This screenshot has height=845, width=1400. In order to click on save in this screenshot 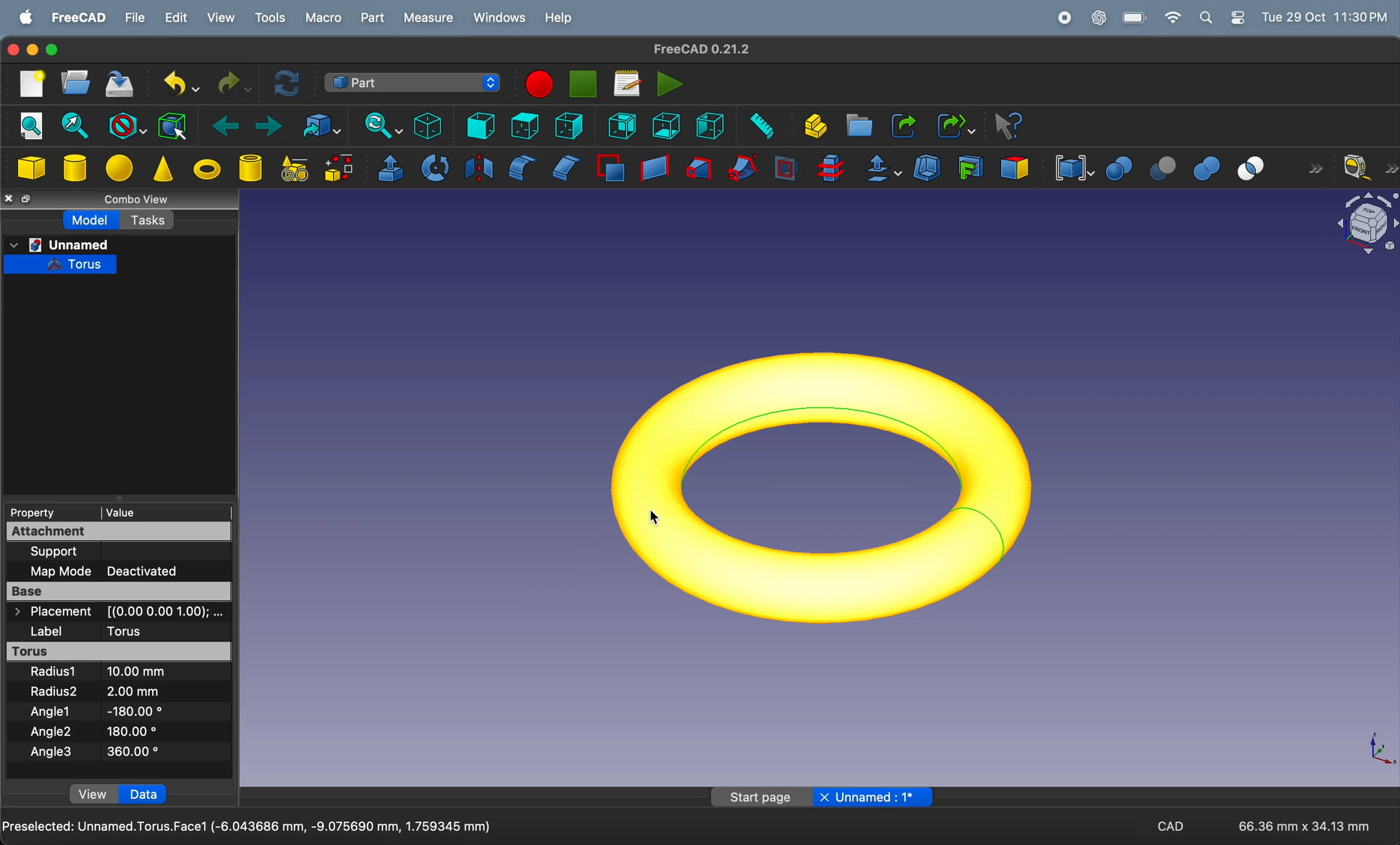, I will do `click(124, 86)`.